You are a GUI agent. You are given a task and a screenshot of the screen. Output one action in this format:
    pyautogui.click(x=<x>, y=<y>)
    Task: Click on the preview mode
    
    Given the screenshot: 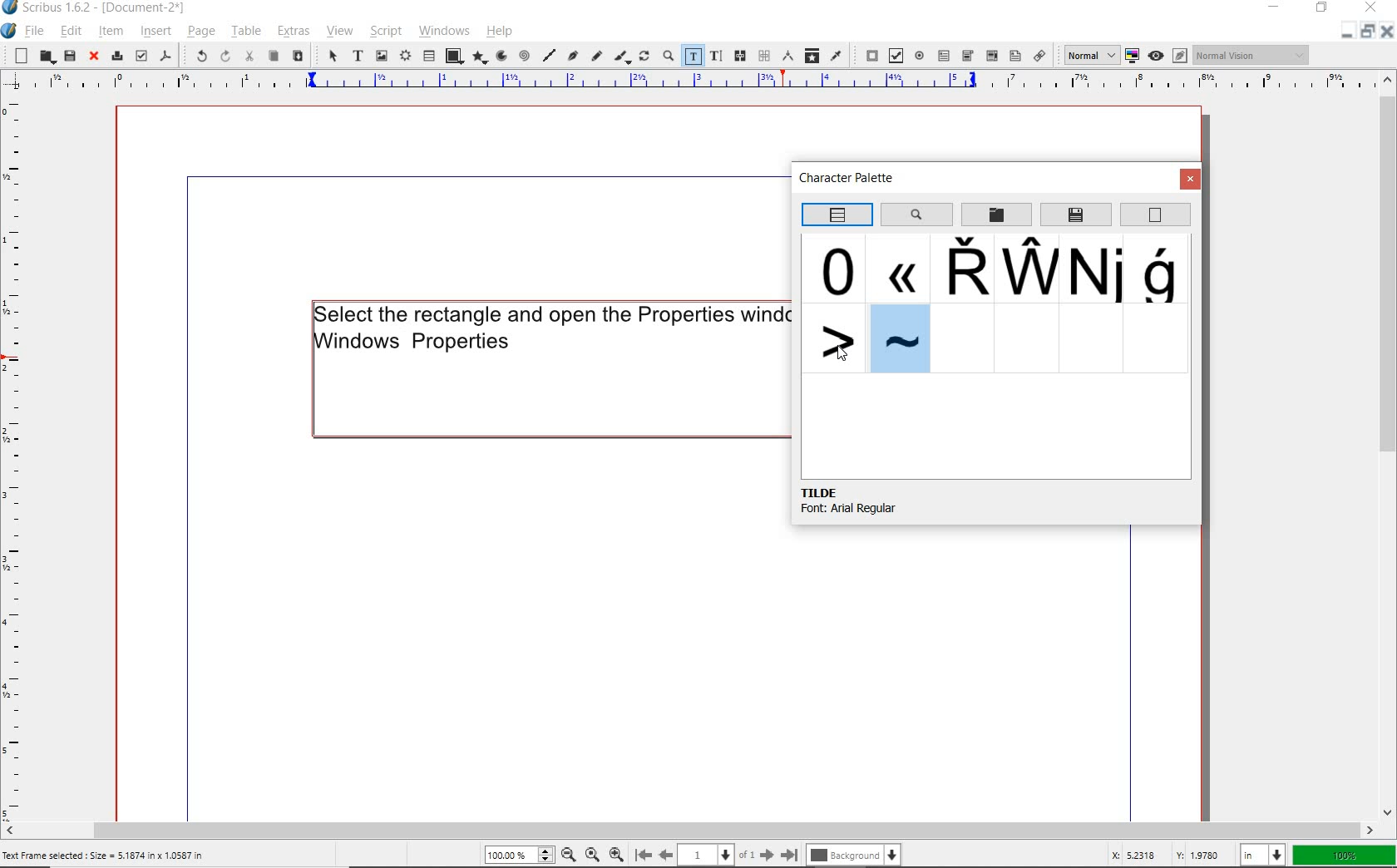 What is the action you would take?
    pyautogui.click(x=1167, y=56)
    